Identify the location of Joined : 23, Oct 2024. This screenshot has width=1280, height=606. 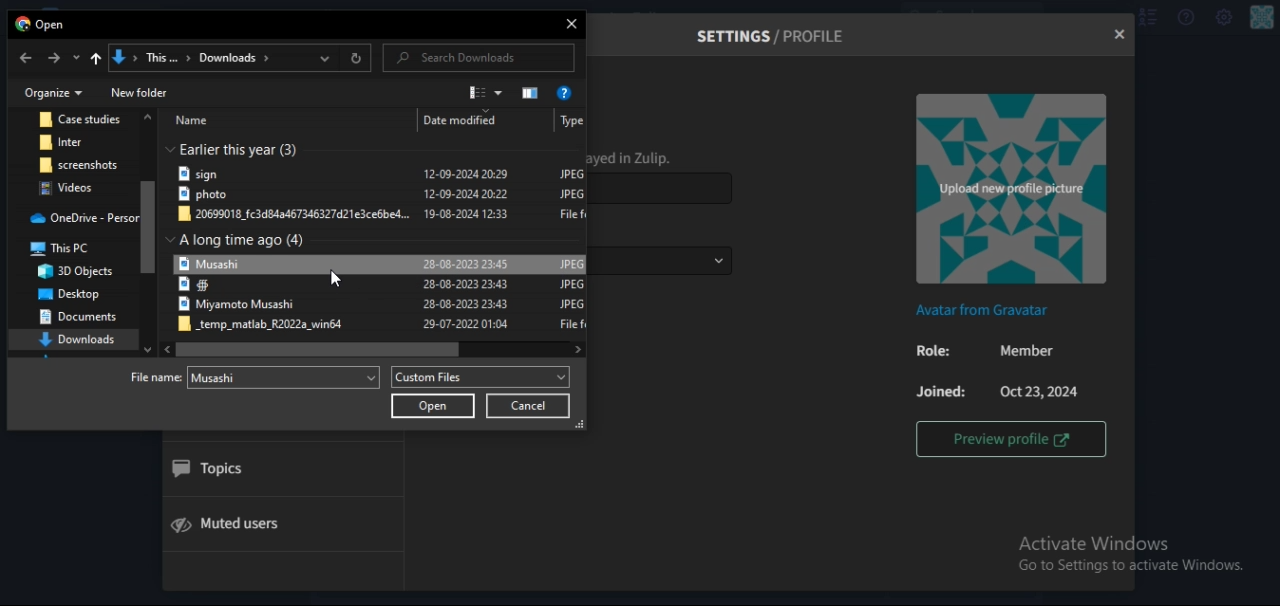
(999, 392).